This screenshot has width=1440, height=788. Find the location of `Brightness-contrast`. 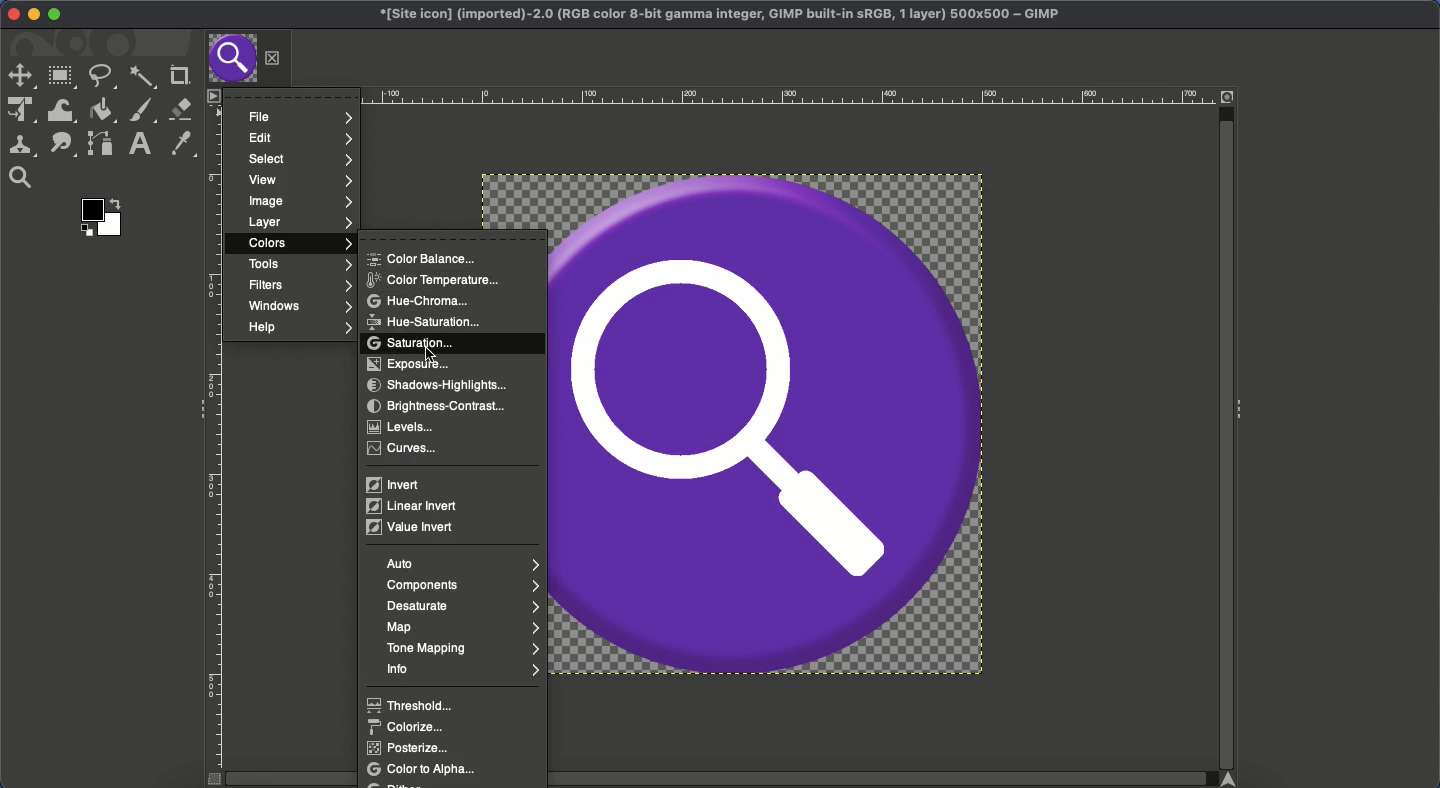

Brightness-contrast is located at coordinates (441, 406).